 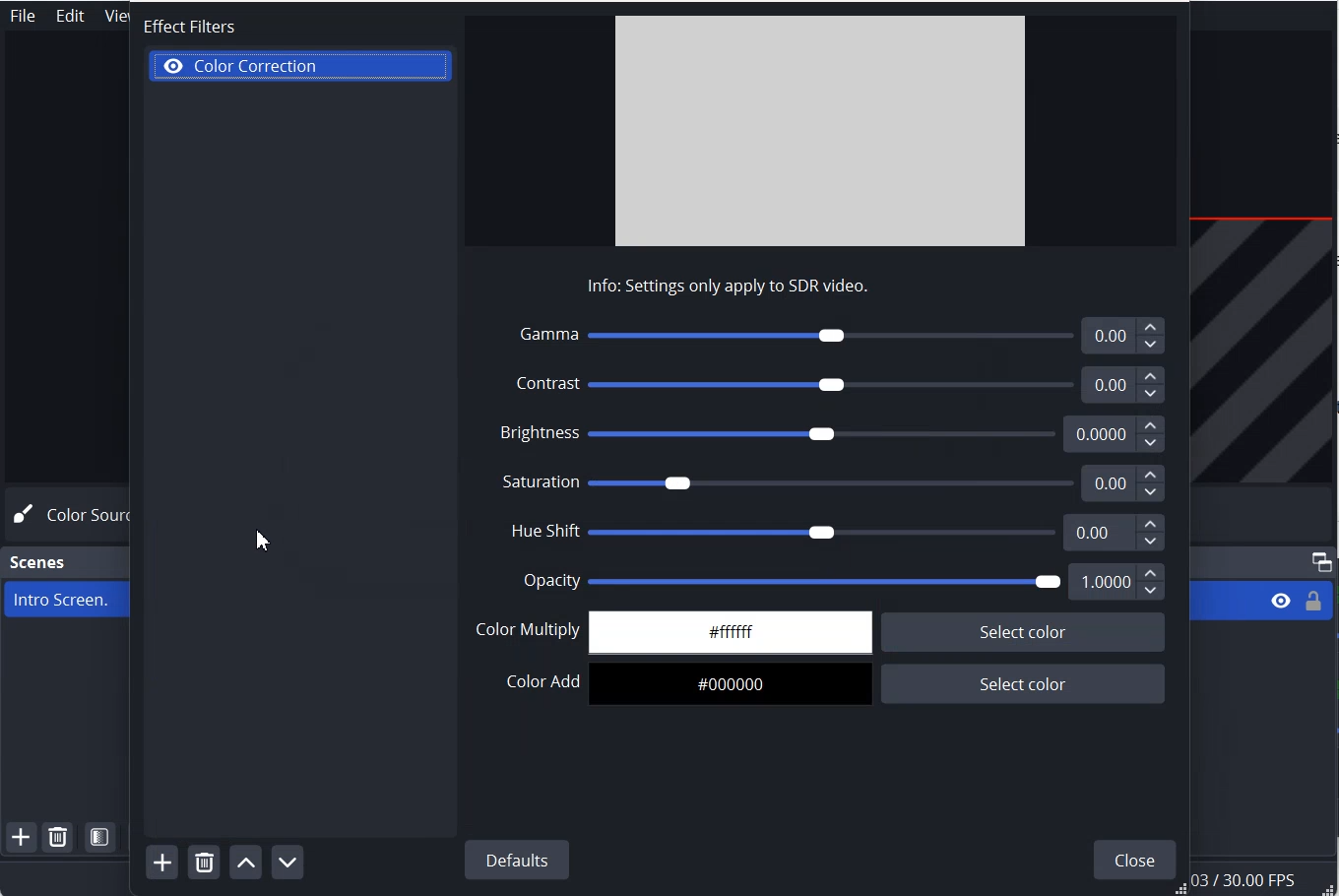 I want to click on Color Multiply , so click(x=821, y=631).